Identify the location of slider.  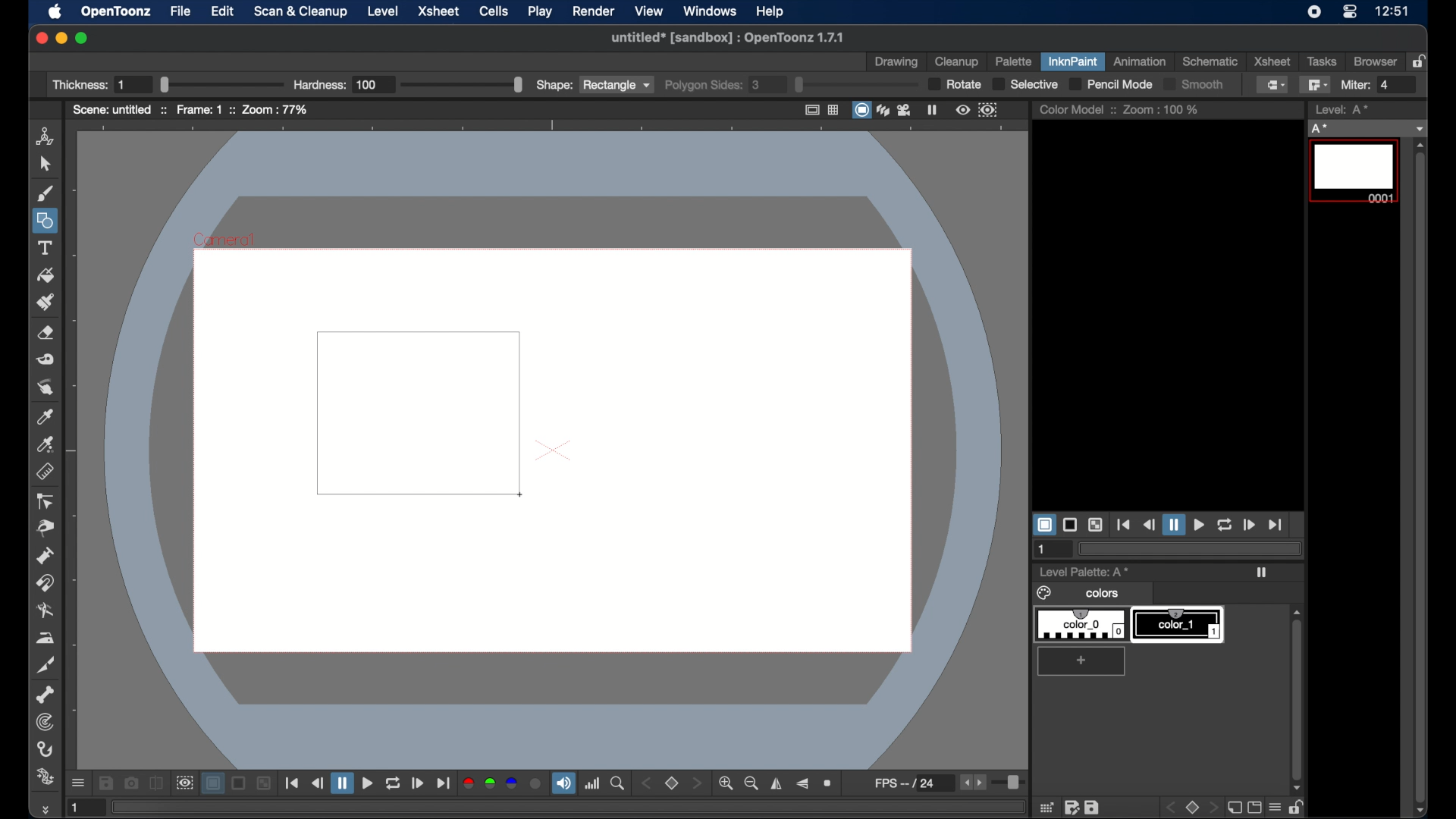
(1011, 784).